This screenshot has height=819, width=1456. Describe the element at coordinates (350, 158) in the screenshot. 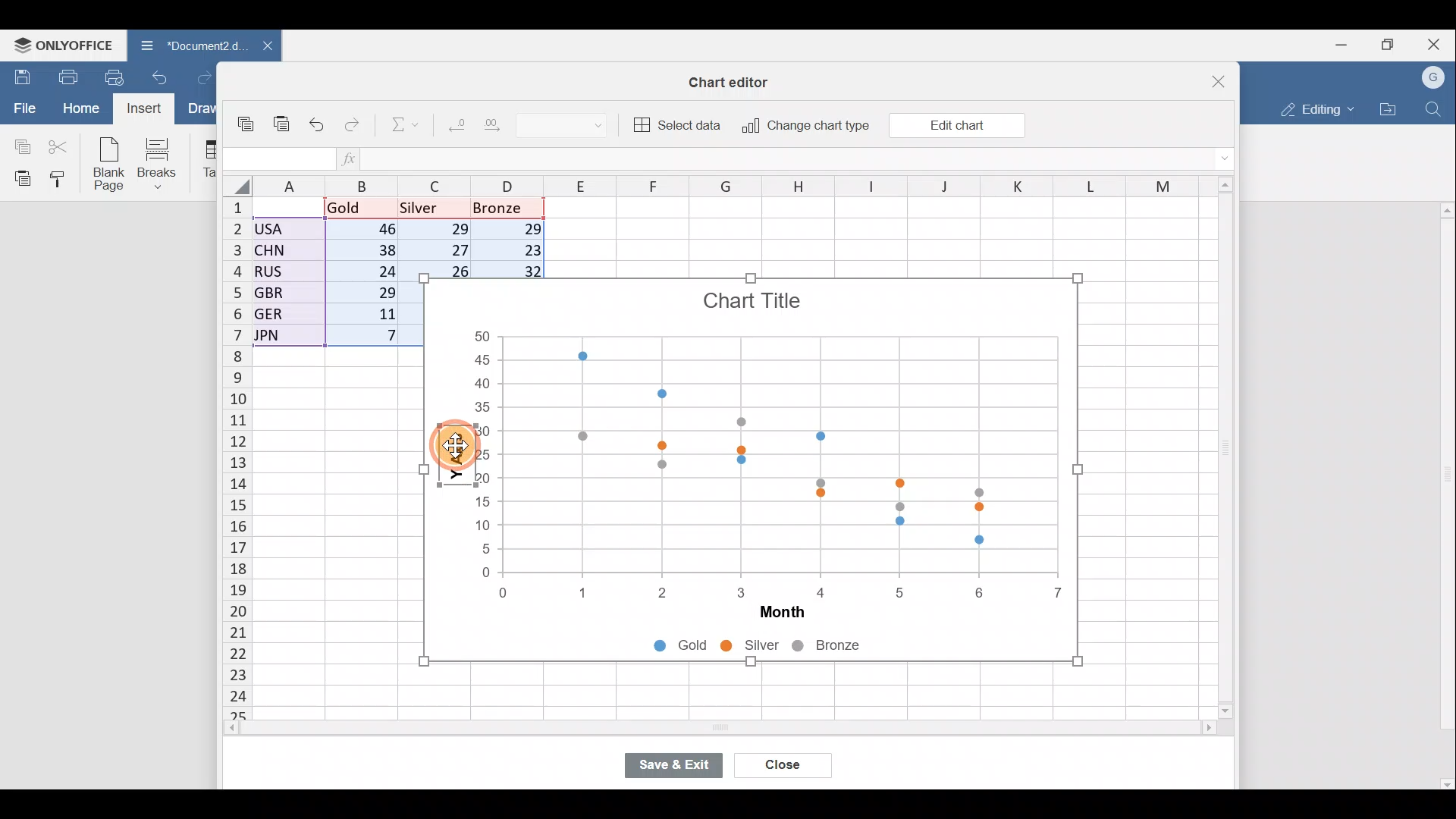

I see `Insert function` at that location.